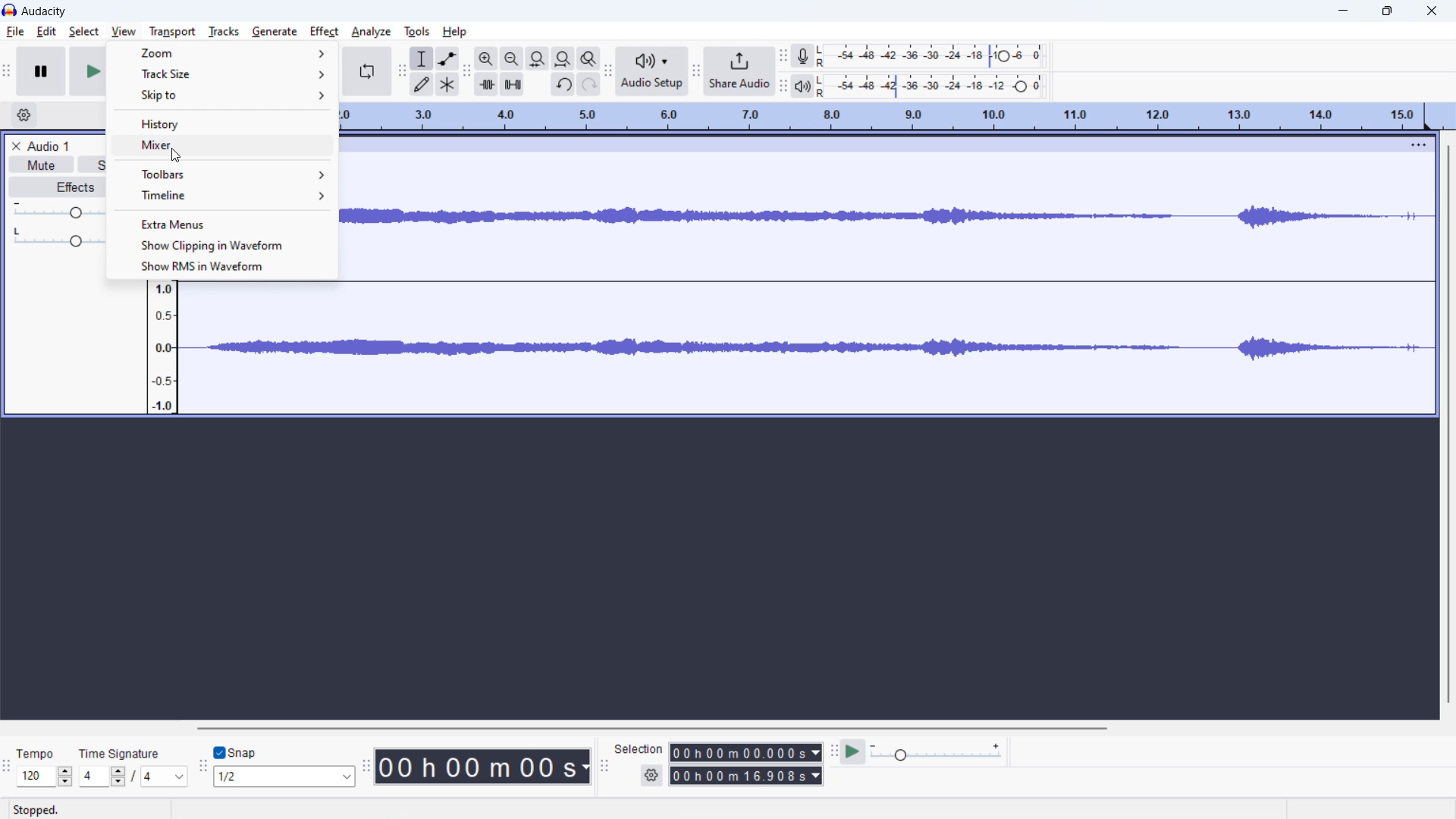 This screenshot has height=819, width=1456. Describe the element at coordinates (223, 73) in the screenshot. I see `track size` at that location.